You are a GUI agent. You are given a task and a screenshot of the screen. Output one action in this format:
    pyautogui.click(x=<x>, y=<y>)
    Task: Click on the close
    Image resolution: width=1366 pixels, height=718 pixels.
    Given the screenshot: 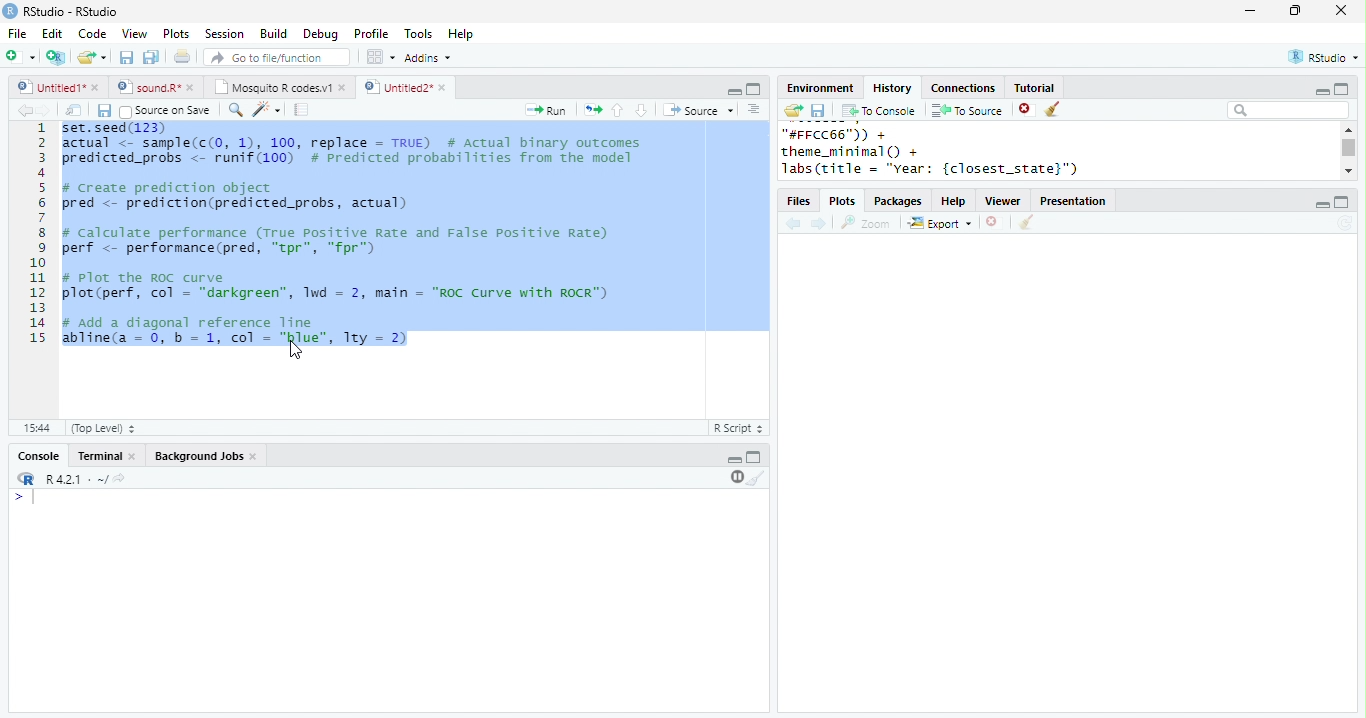 What is the action you would take?
    pyautogui.click(x=97, y=87)
    